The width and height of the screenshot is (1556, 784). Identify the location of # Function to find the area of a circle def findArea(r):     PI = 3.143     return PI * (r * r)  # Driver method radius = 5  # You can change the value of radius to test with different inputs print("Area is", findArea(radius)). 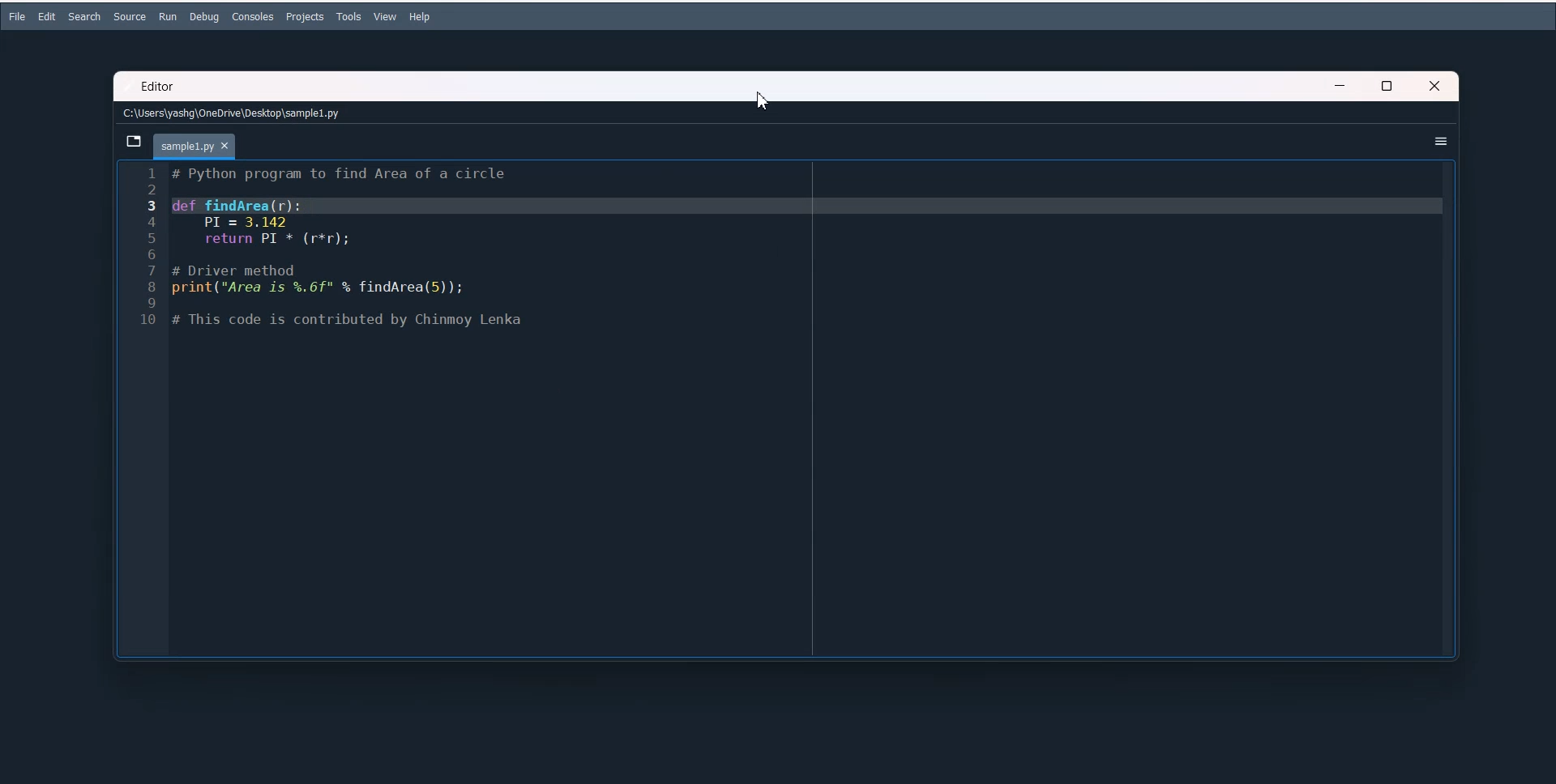
(811, 408).